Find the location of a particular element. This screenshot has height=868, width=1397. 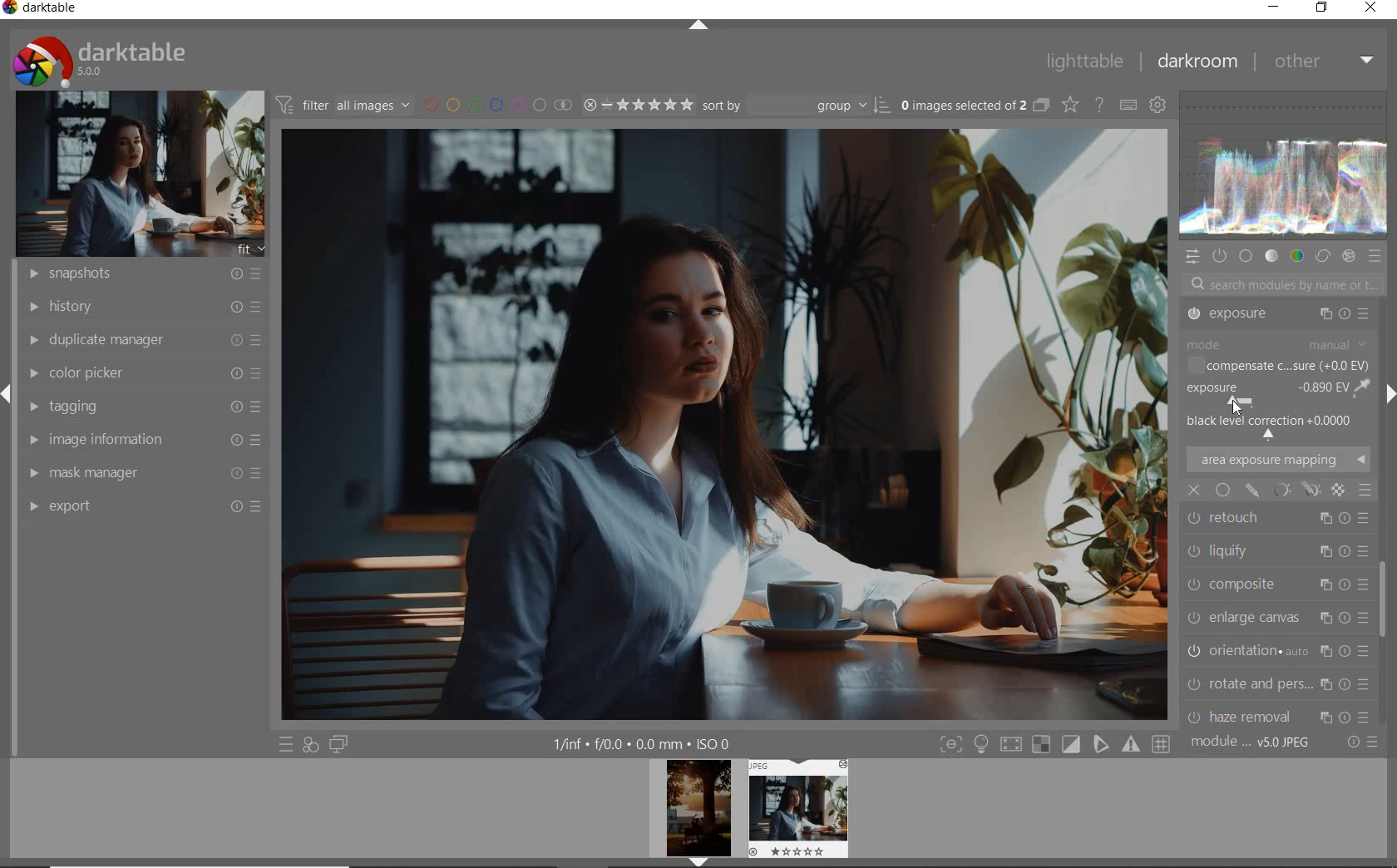

EFFECT is located at coordinates (1348, 256).